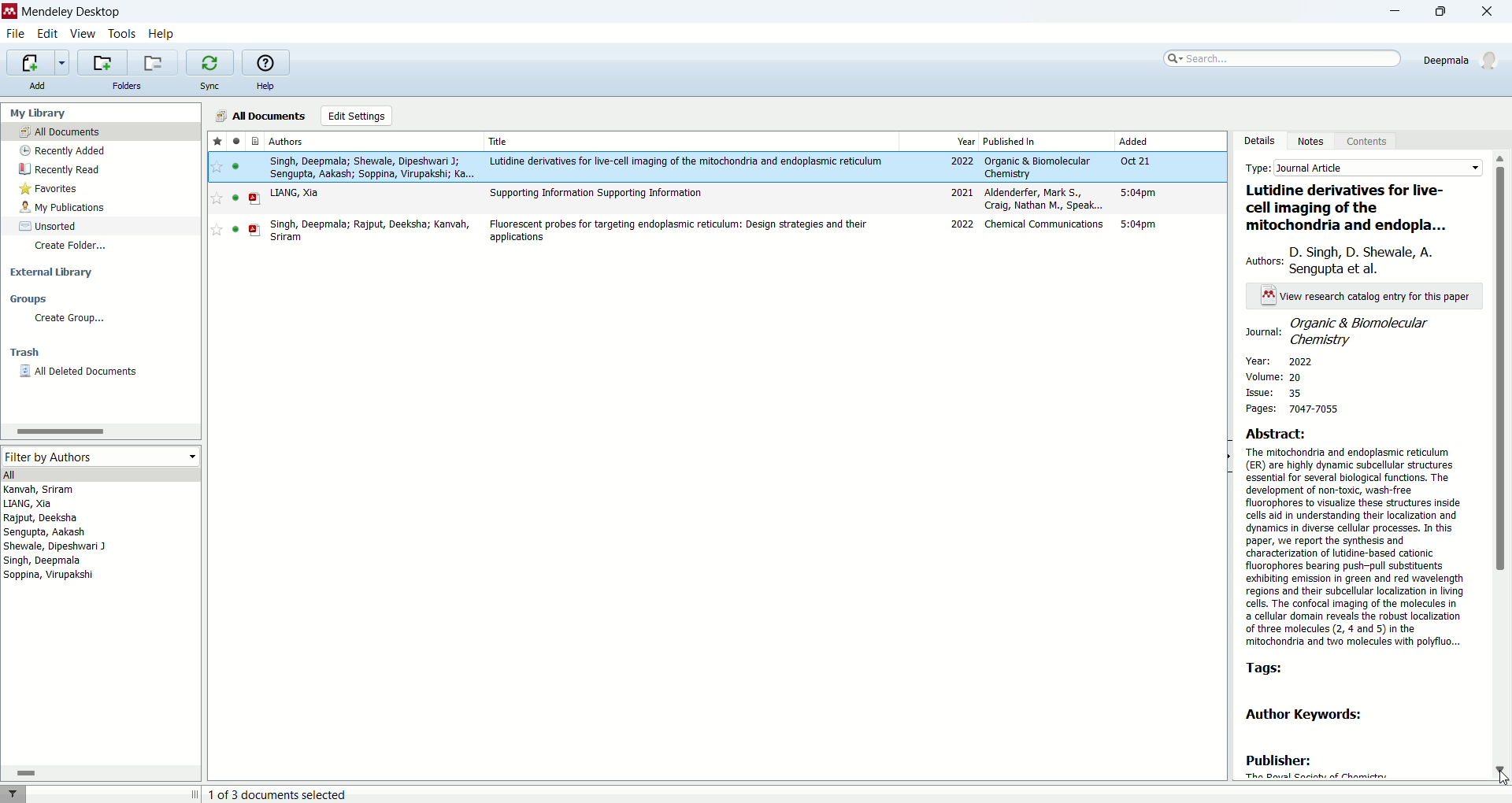  I want to click on favorite, so click(217, 167).